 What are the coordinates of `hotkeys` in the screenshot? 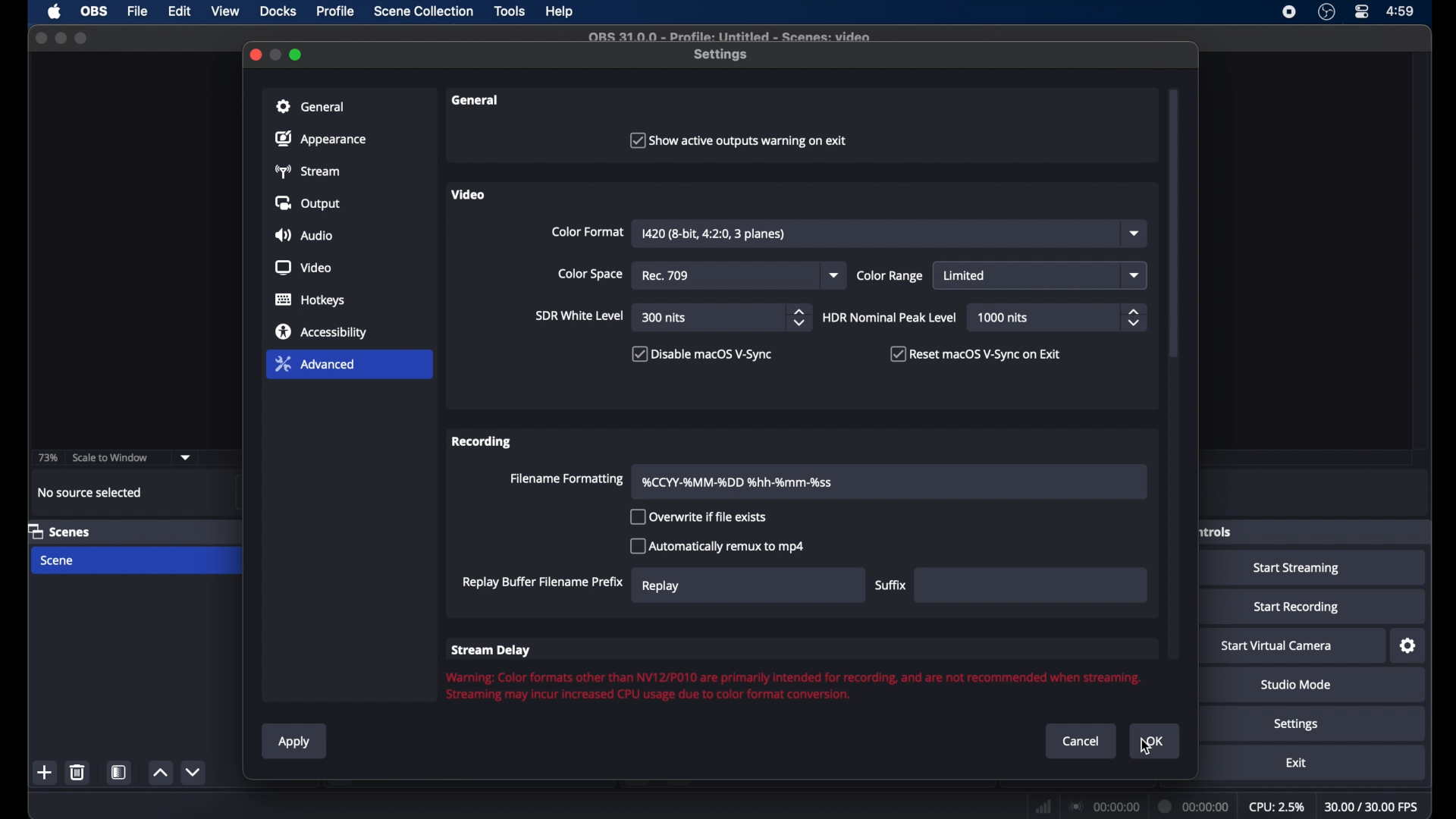 It's located at (310, 300).